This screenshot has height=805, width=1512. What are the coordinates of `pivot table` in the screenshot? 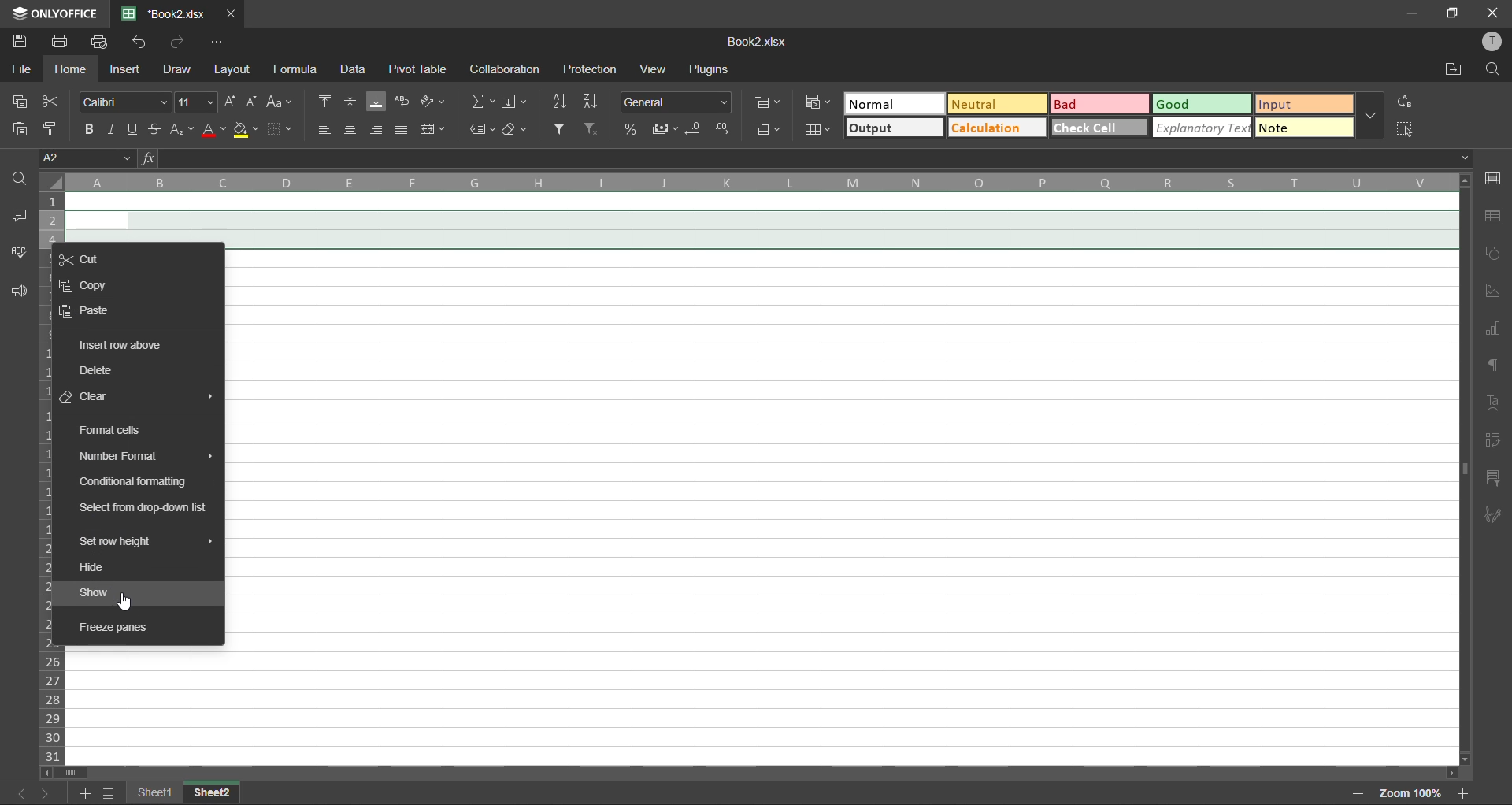 It's located at (417, 69).